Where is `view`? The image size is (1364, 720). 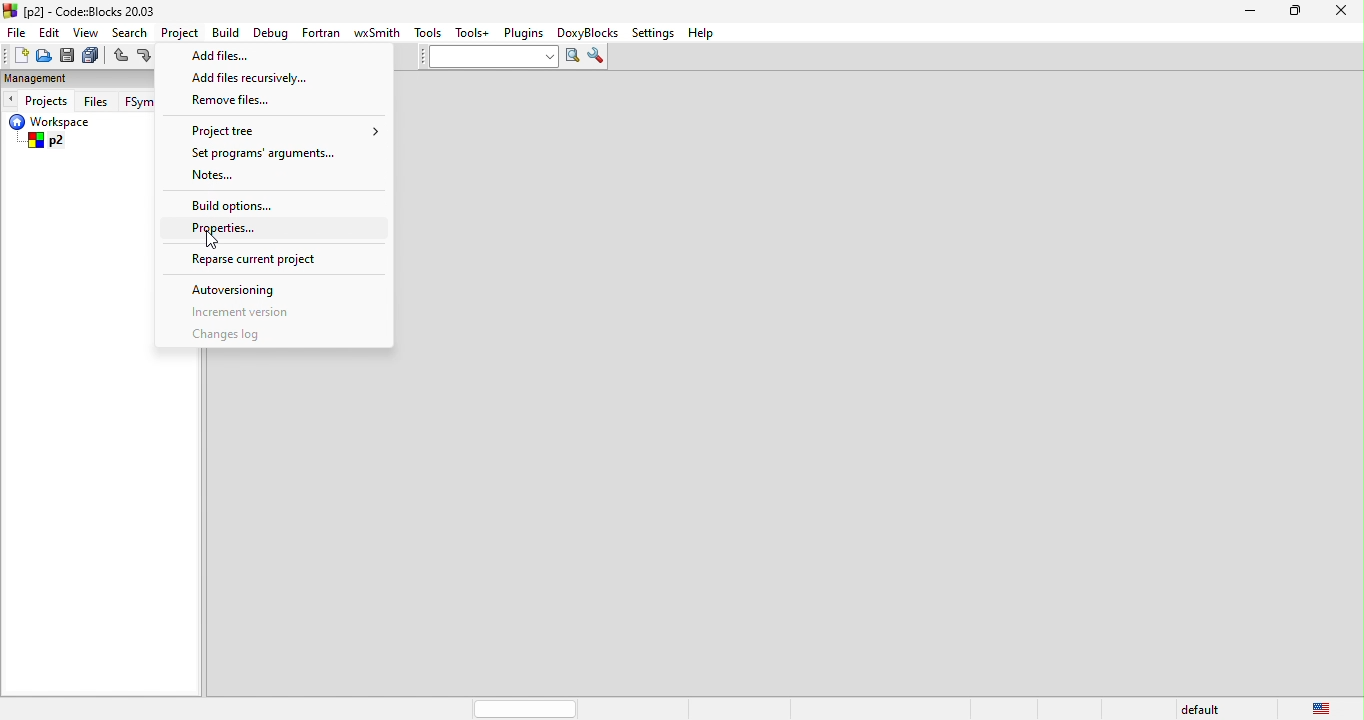
view is located at coordinates (87, 32).